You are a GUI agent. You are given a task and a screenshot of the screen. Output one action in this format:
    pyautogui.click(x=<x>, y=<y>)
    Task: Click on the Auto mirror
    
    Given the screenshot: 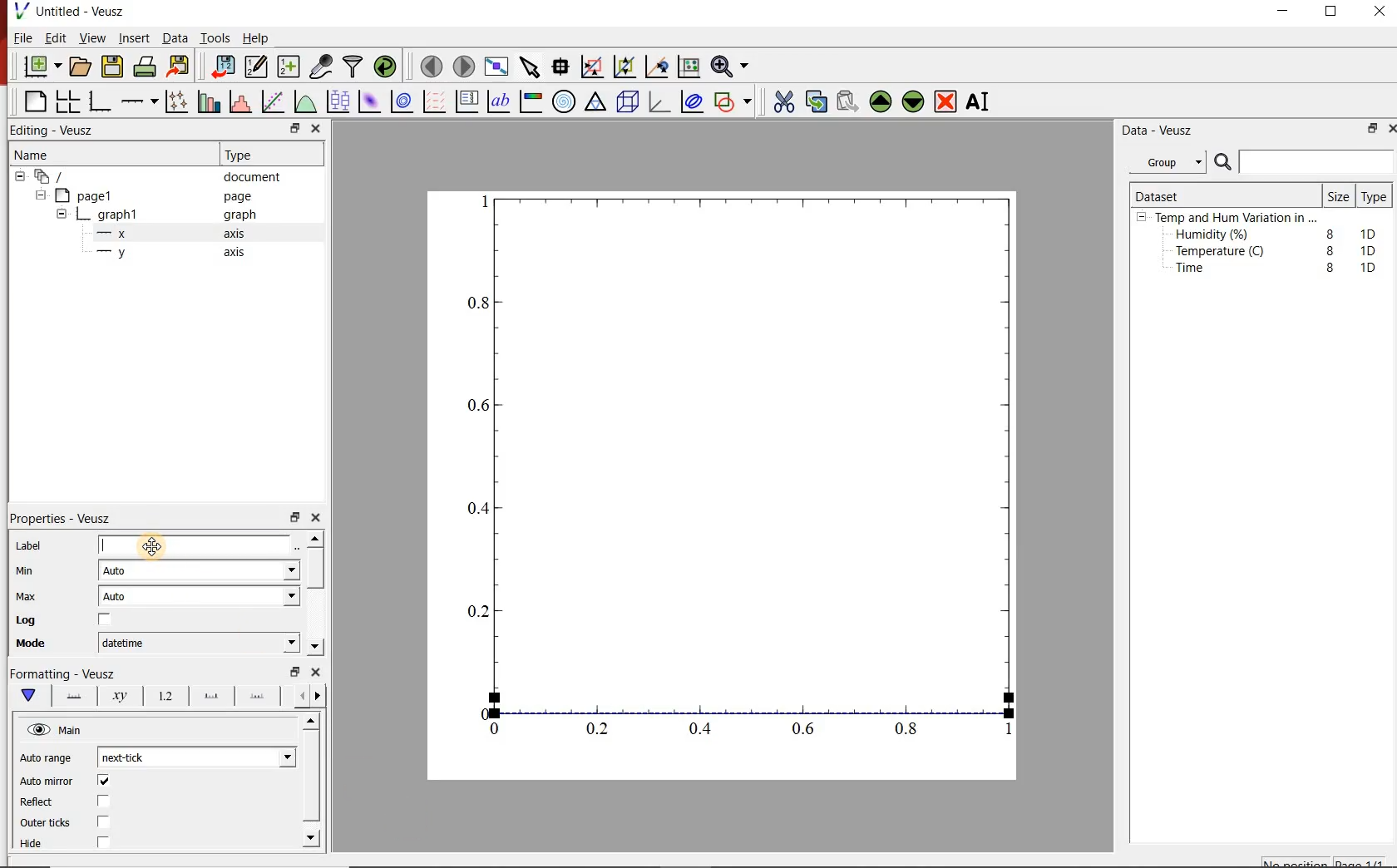 What is the action you would take?
    pyautogui.click(x=67, y=782)
    